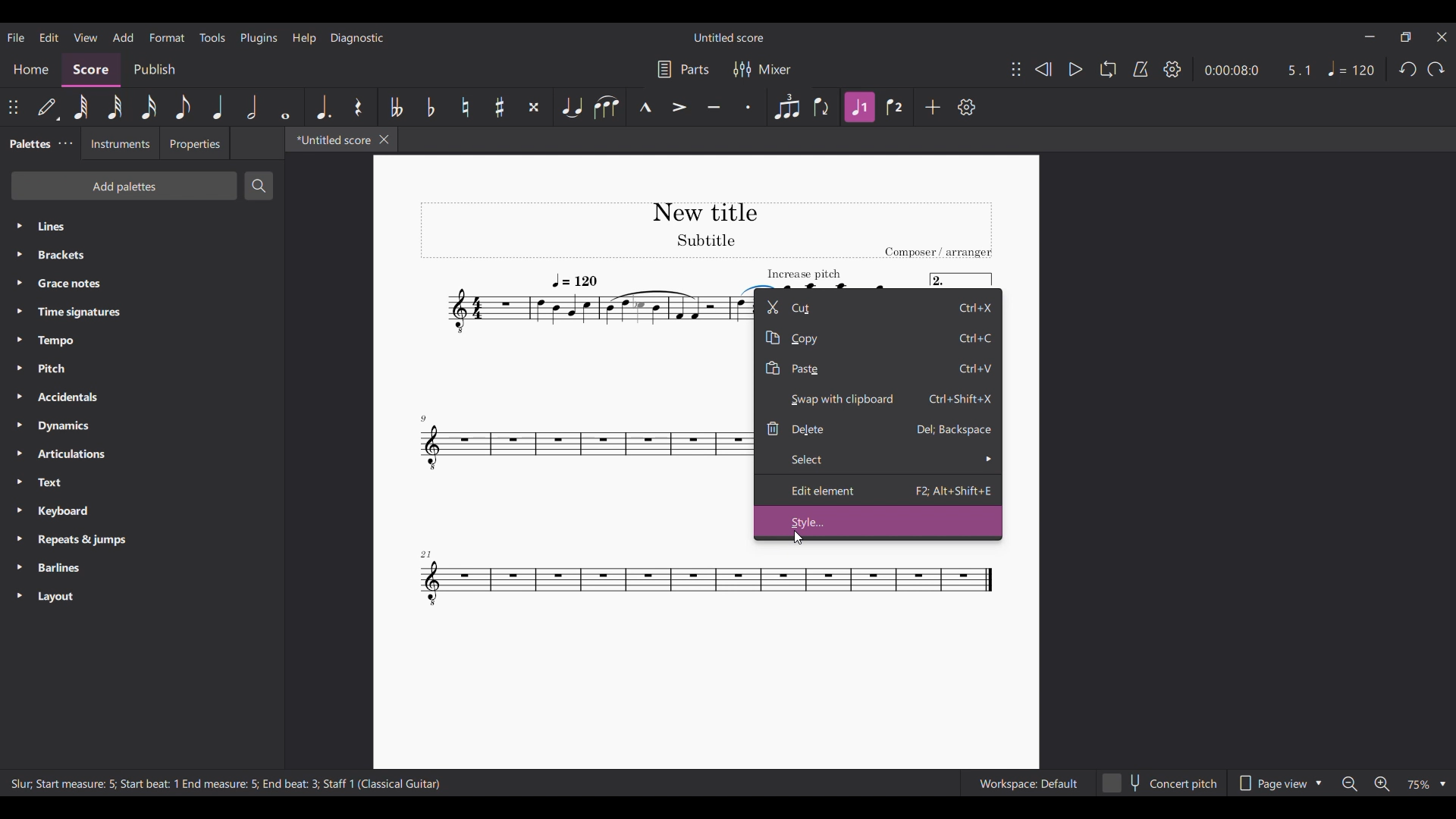 The width and height of the screenshot is (1456, 819). What do you see at coordinates (1442, 37) in the screenshot?
I see `Close interface` at bounding box center [1442, 37].